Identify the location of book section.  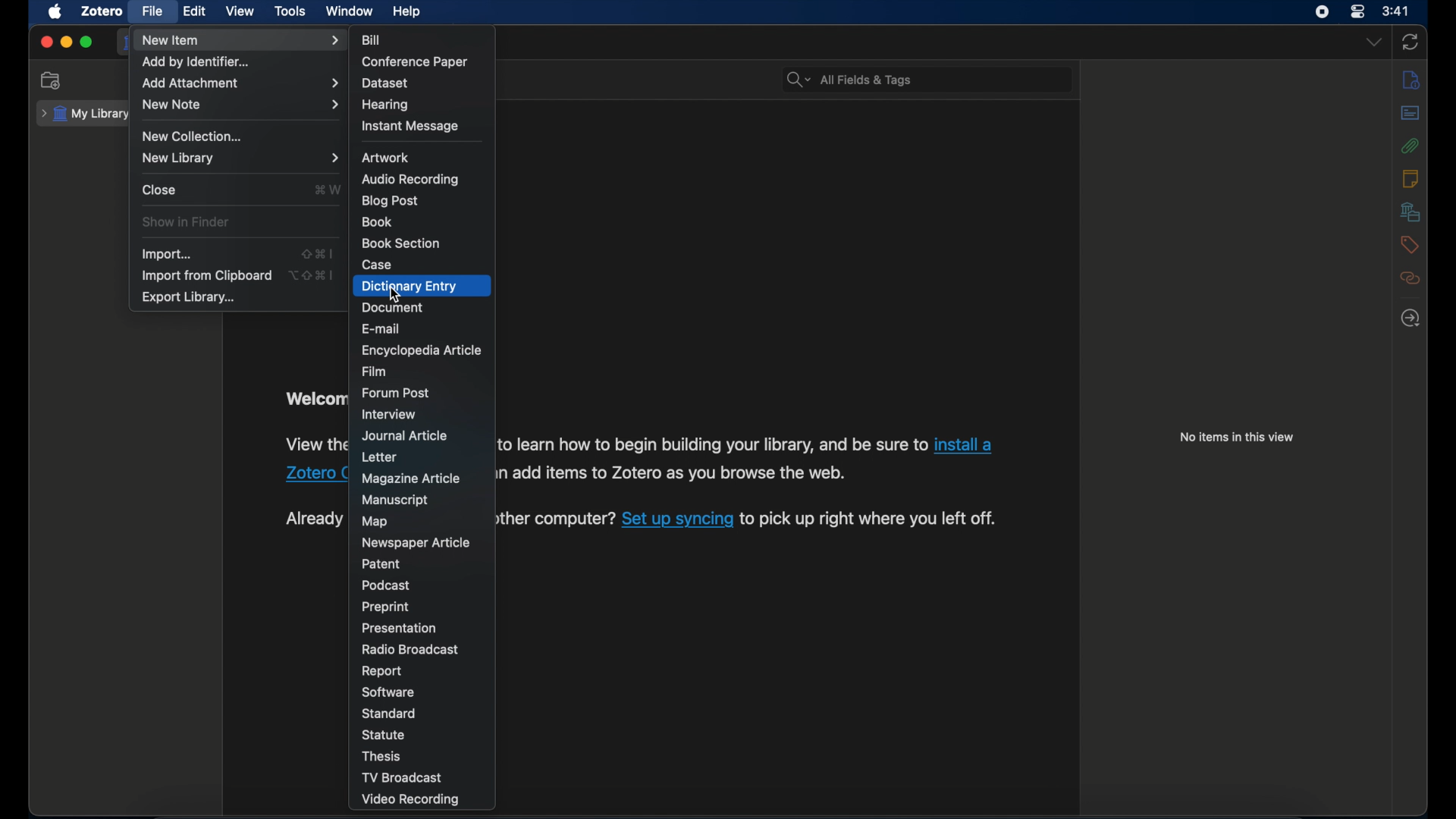
(400, 243).